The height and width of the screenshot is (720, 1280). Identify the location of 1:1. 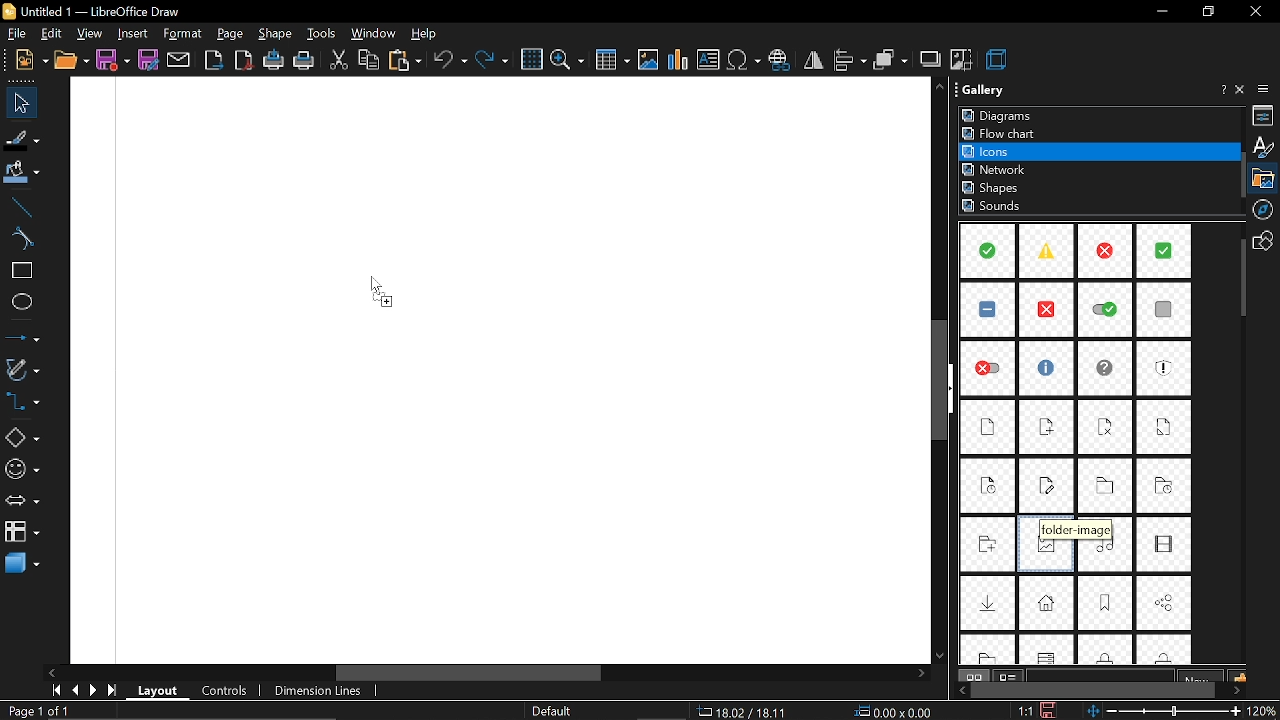
(1025, 710).